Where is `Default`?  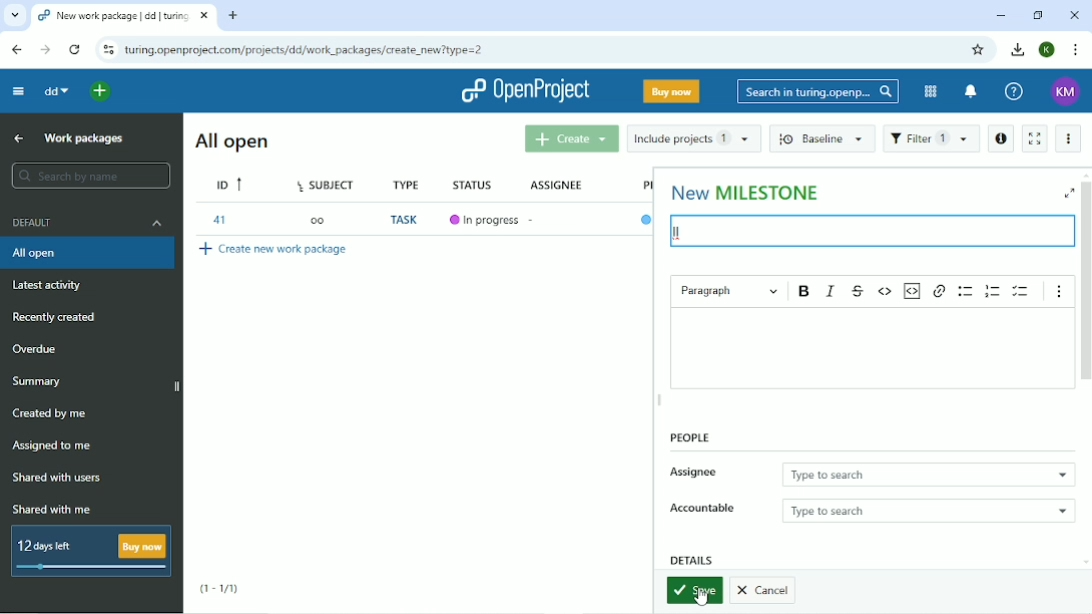 Default is located at coordinates (88, 222).